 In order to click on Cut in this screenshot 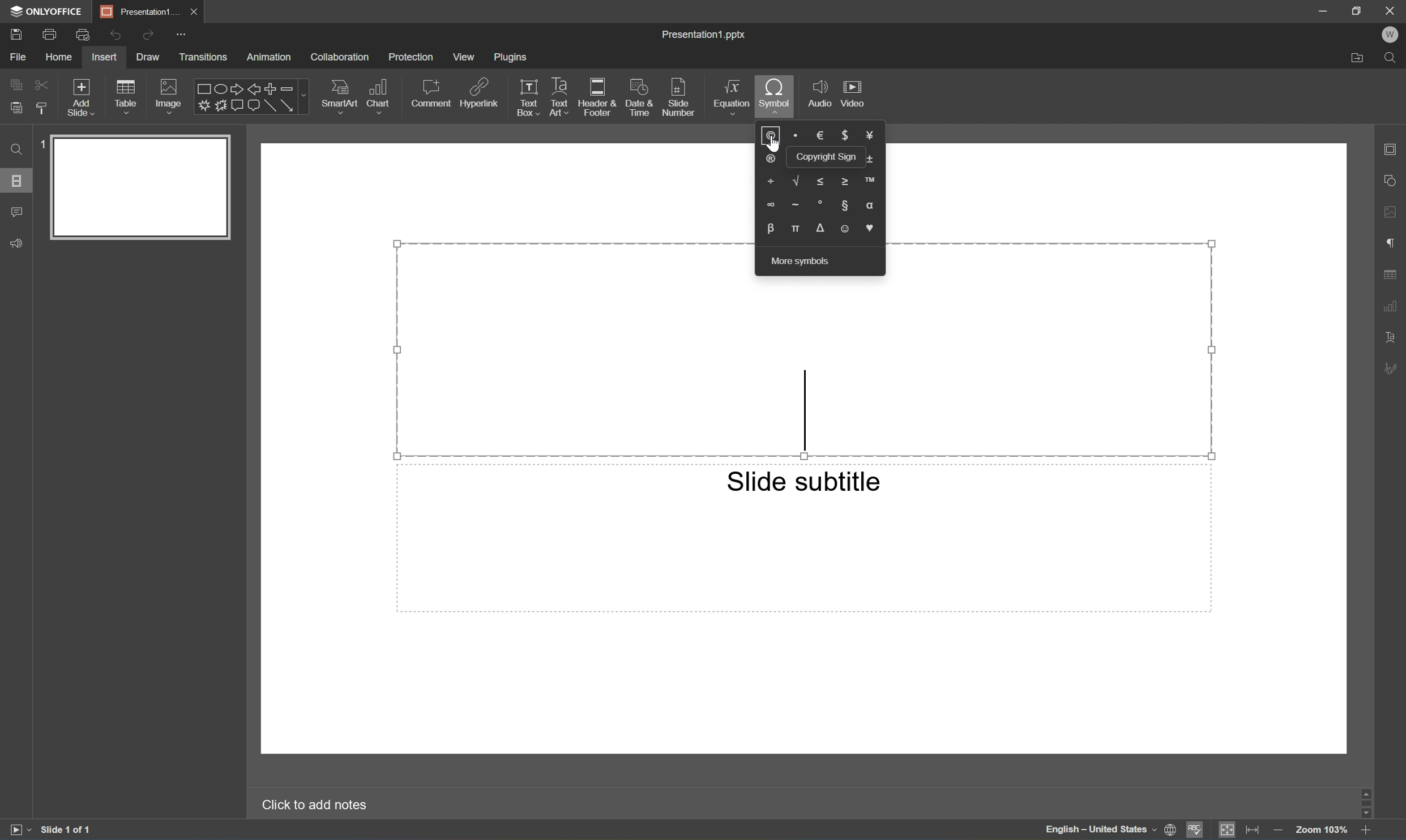, I will do `click(40, 84)`.